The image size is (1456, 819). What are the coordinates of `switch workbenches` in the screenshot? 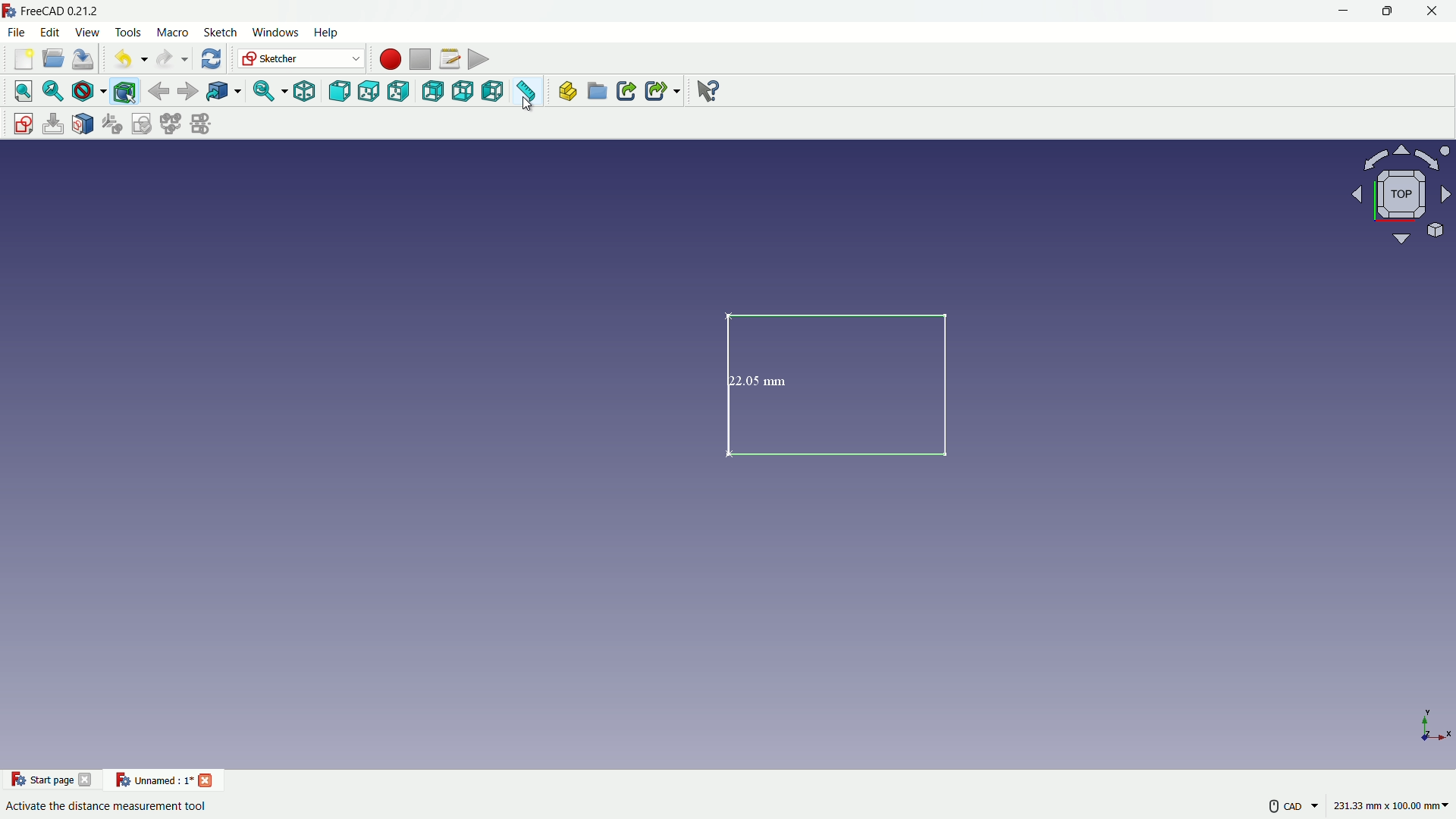 It's located at (301, 59).